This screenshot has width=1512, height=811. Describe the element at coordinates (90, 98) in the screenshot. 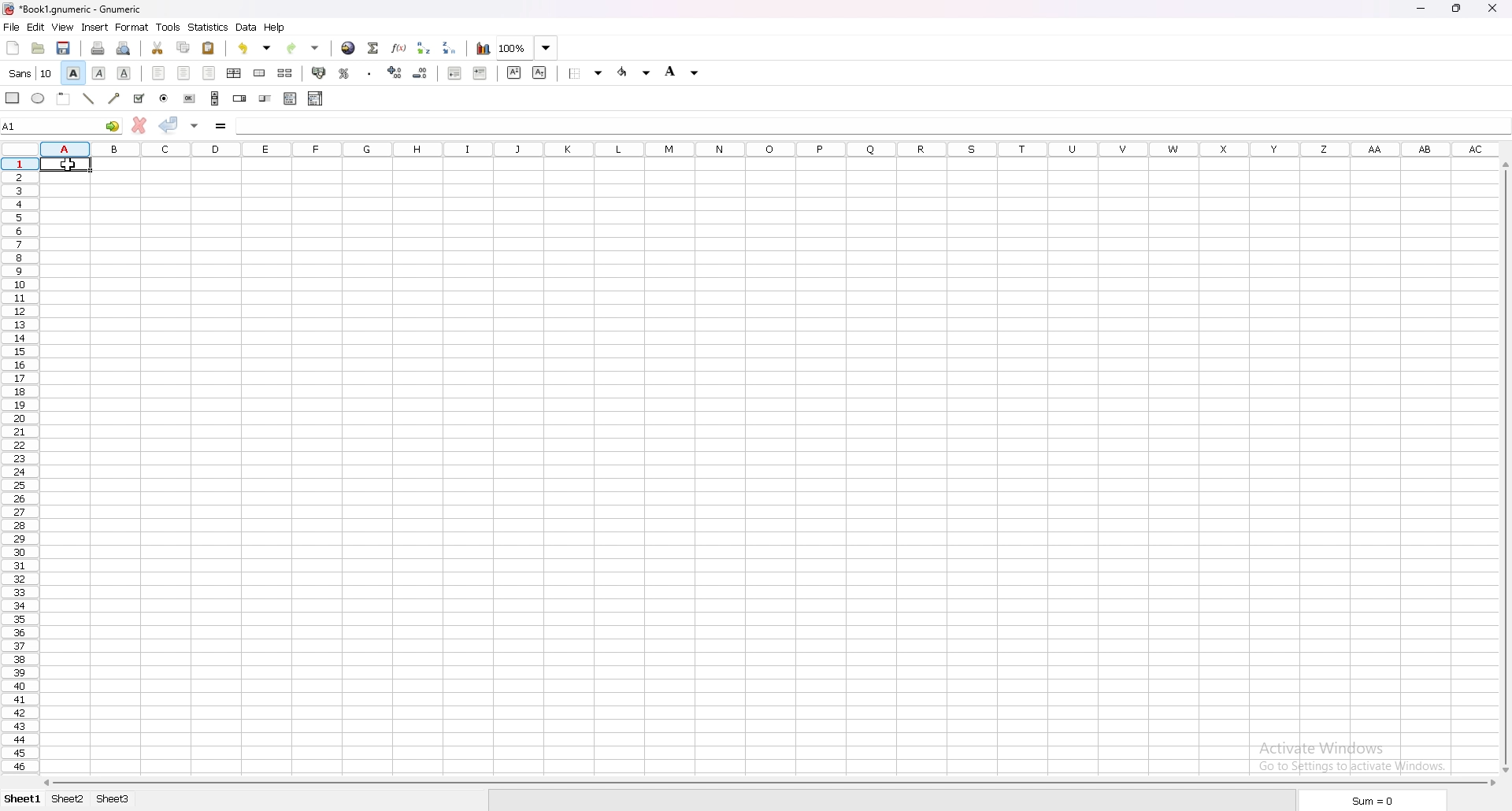

I see `line` at that location.